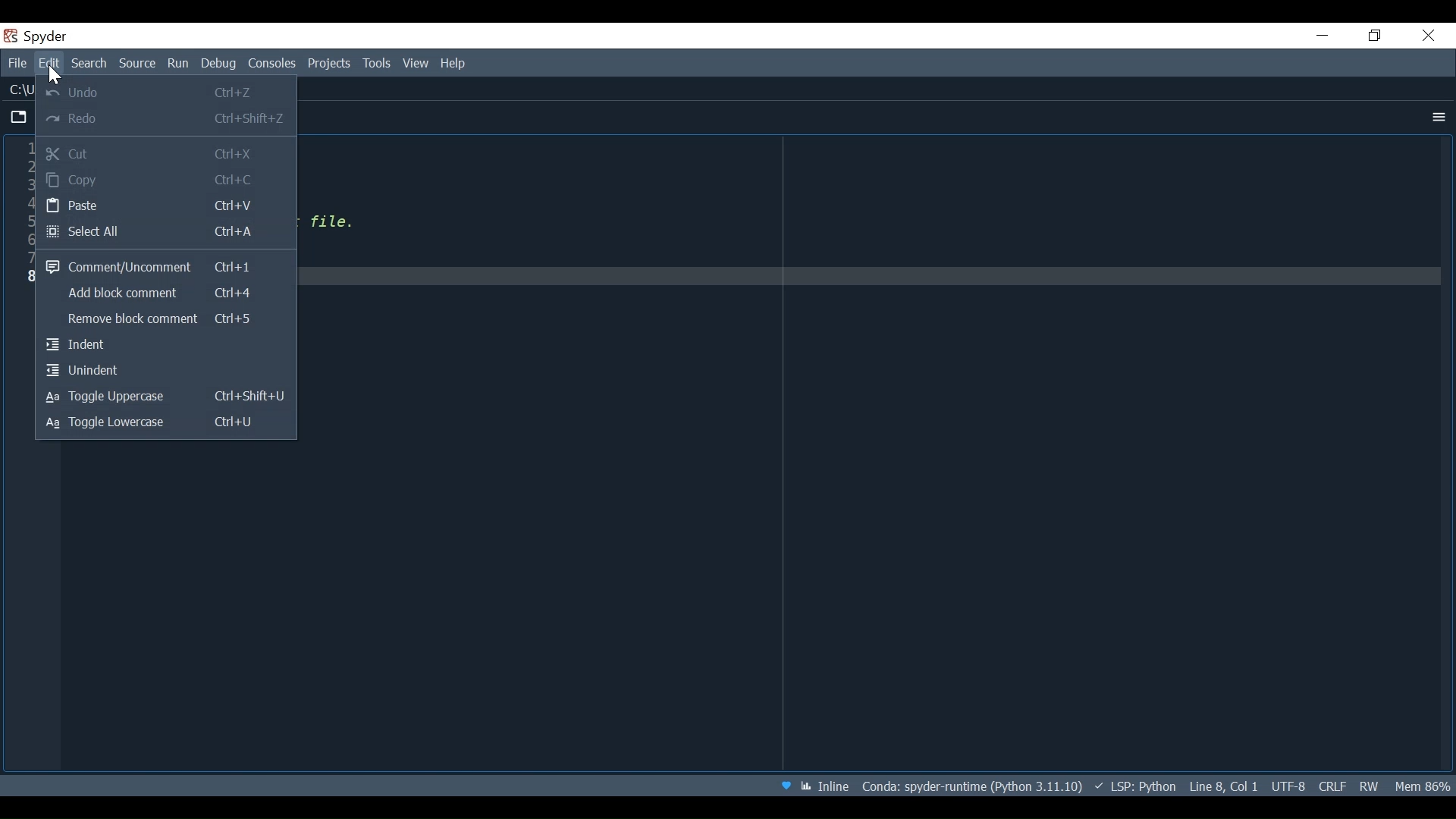  What do you see at coordinates (20, 119) in the screenshot?
I see `Browse tab` at bounding box center [20, 119].